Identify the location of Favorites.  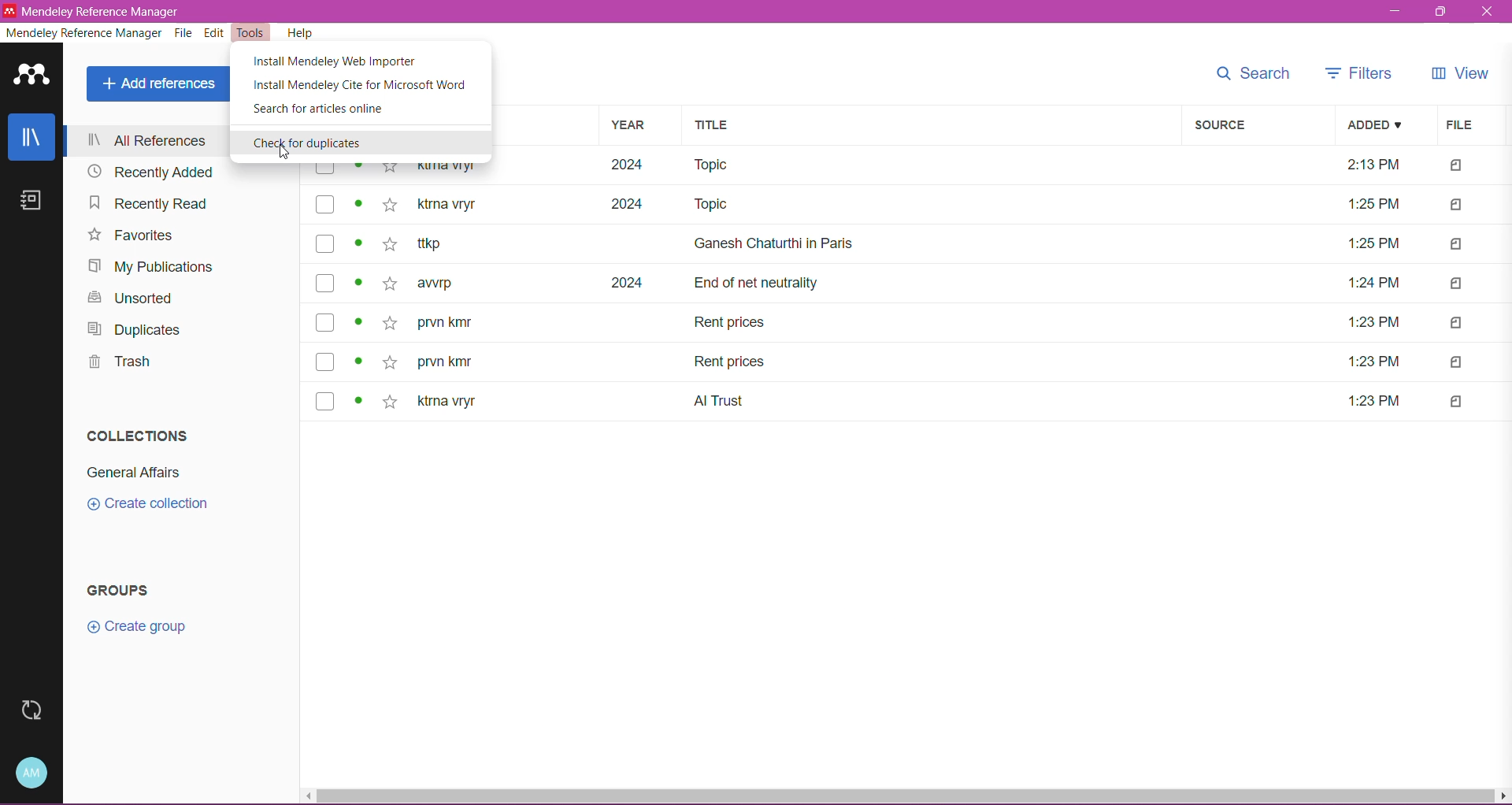
(132, 236).